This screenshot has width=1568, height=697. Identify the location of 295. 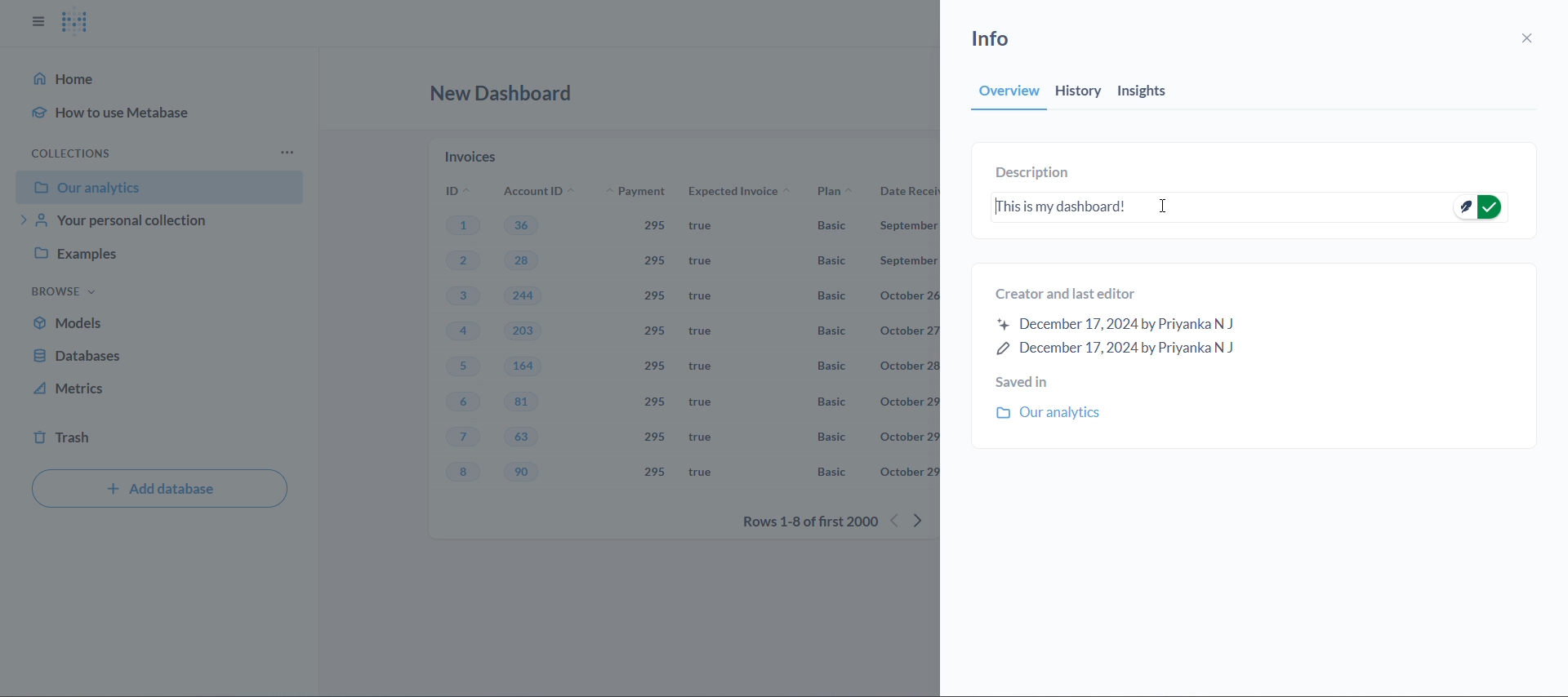
(659, 436).